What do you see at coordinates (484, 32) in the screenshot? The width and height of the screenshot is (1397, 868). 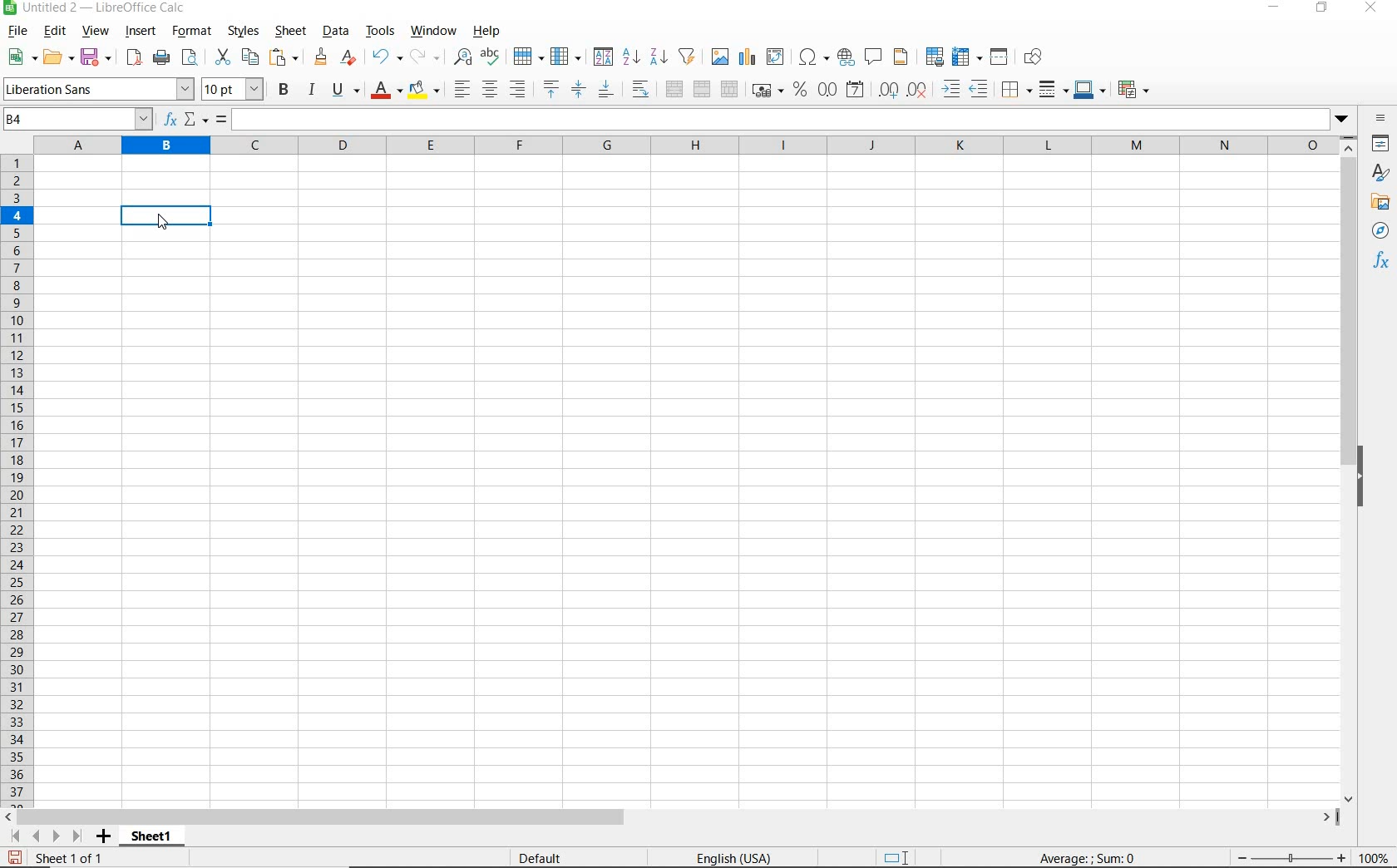 I see `help` at bounding box center [484, 32].